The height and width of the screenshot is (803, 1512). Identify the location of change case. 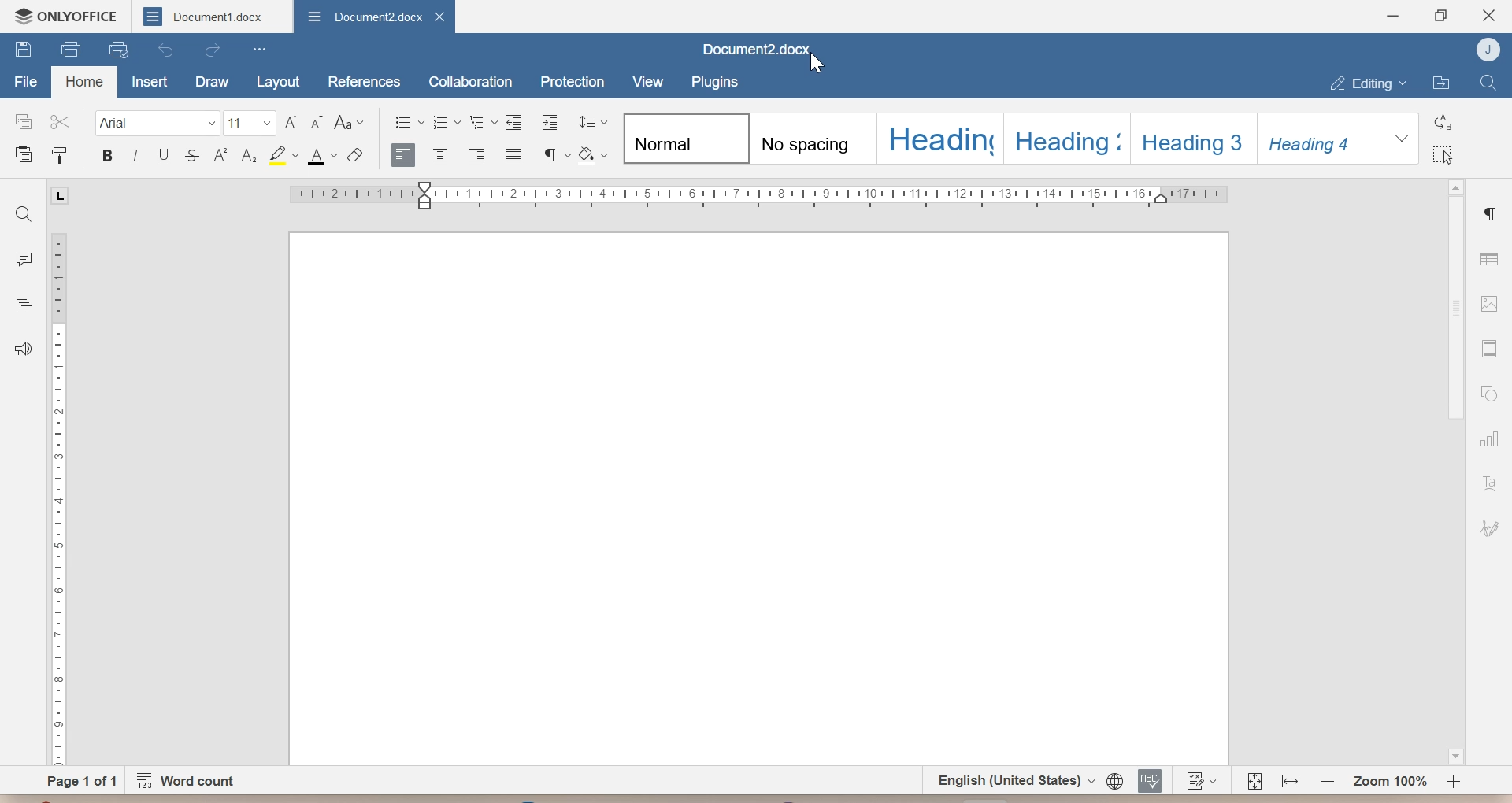
(350, 124).